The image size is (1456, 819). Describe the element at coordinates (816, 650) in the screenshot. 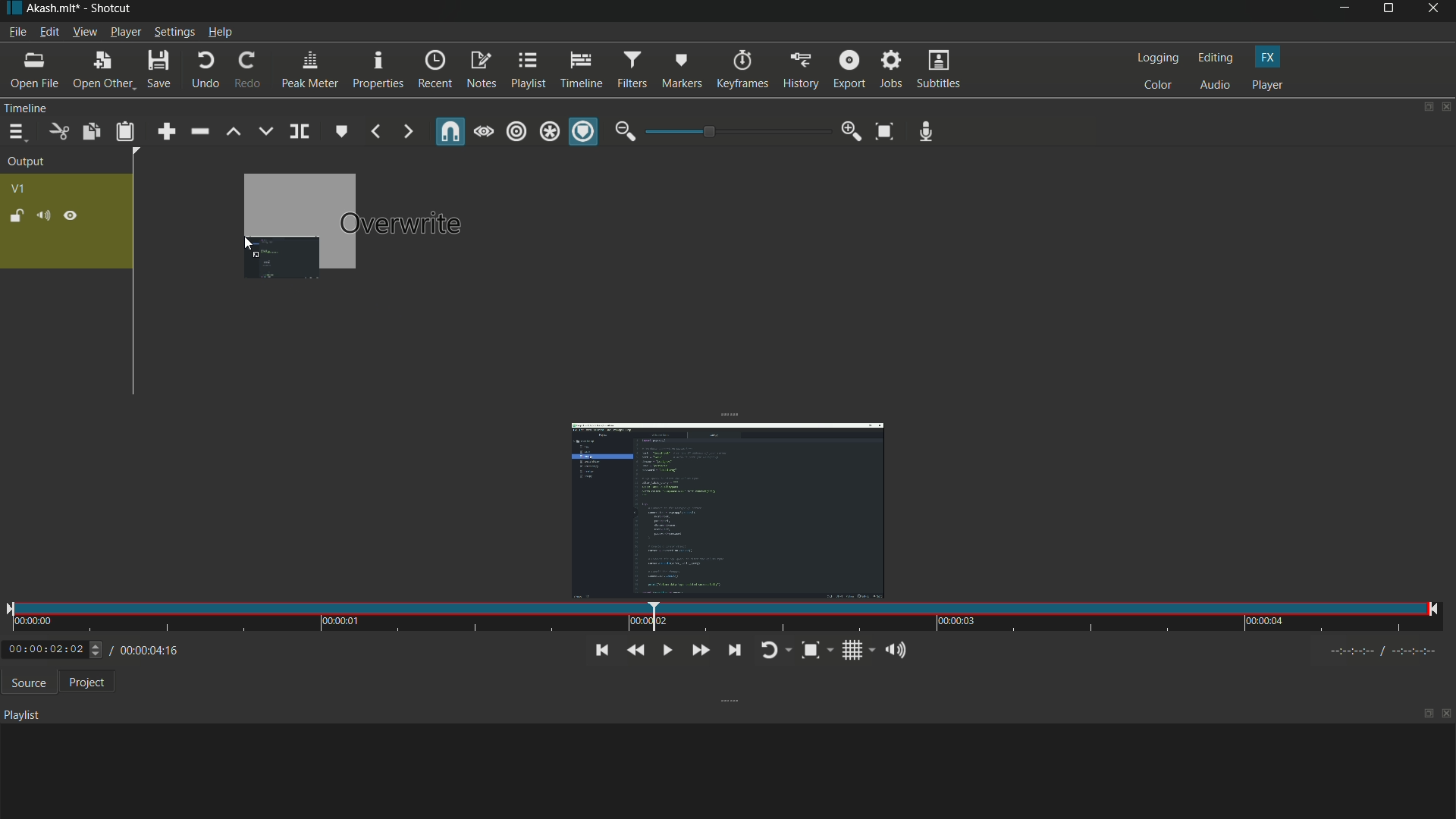

I see `toggle zoom` at that location.